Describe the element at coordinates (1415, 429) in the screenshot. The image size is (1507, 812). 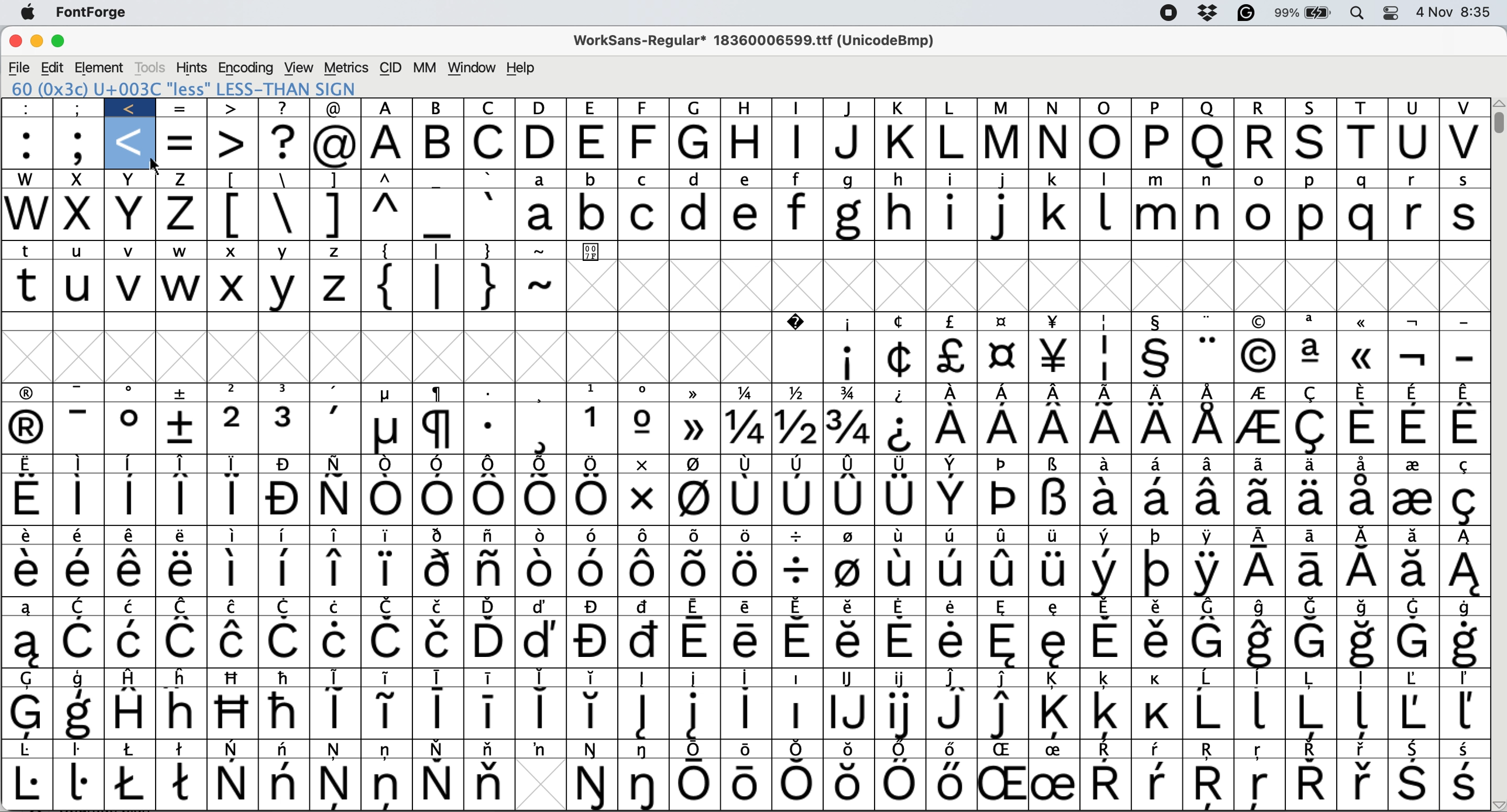
I see `Symbol` at that location.